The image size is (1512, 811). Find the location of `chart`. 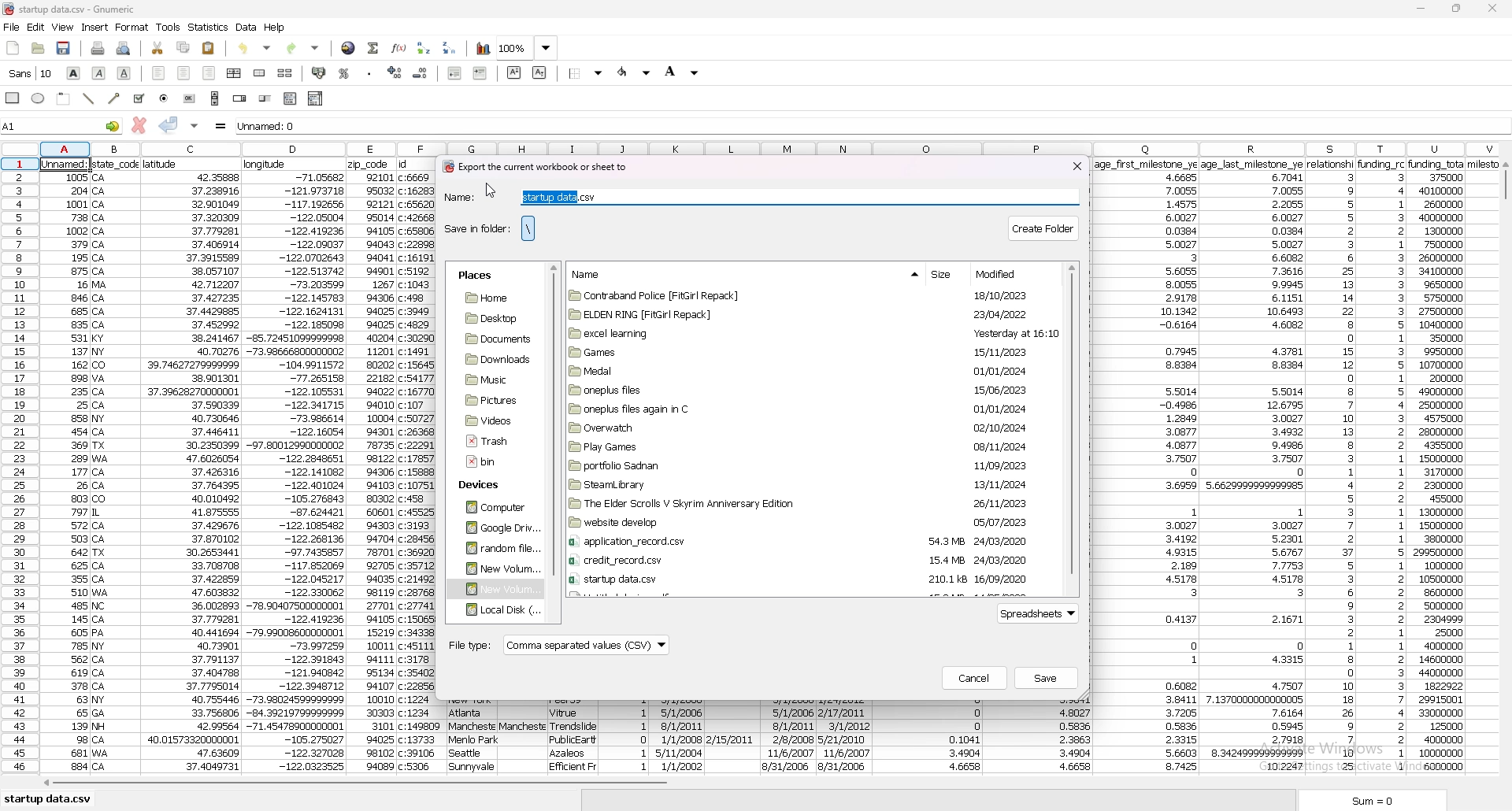

chart is located at coordinates (484, 49).